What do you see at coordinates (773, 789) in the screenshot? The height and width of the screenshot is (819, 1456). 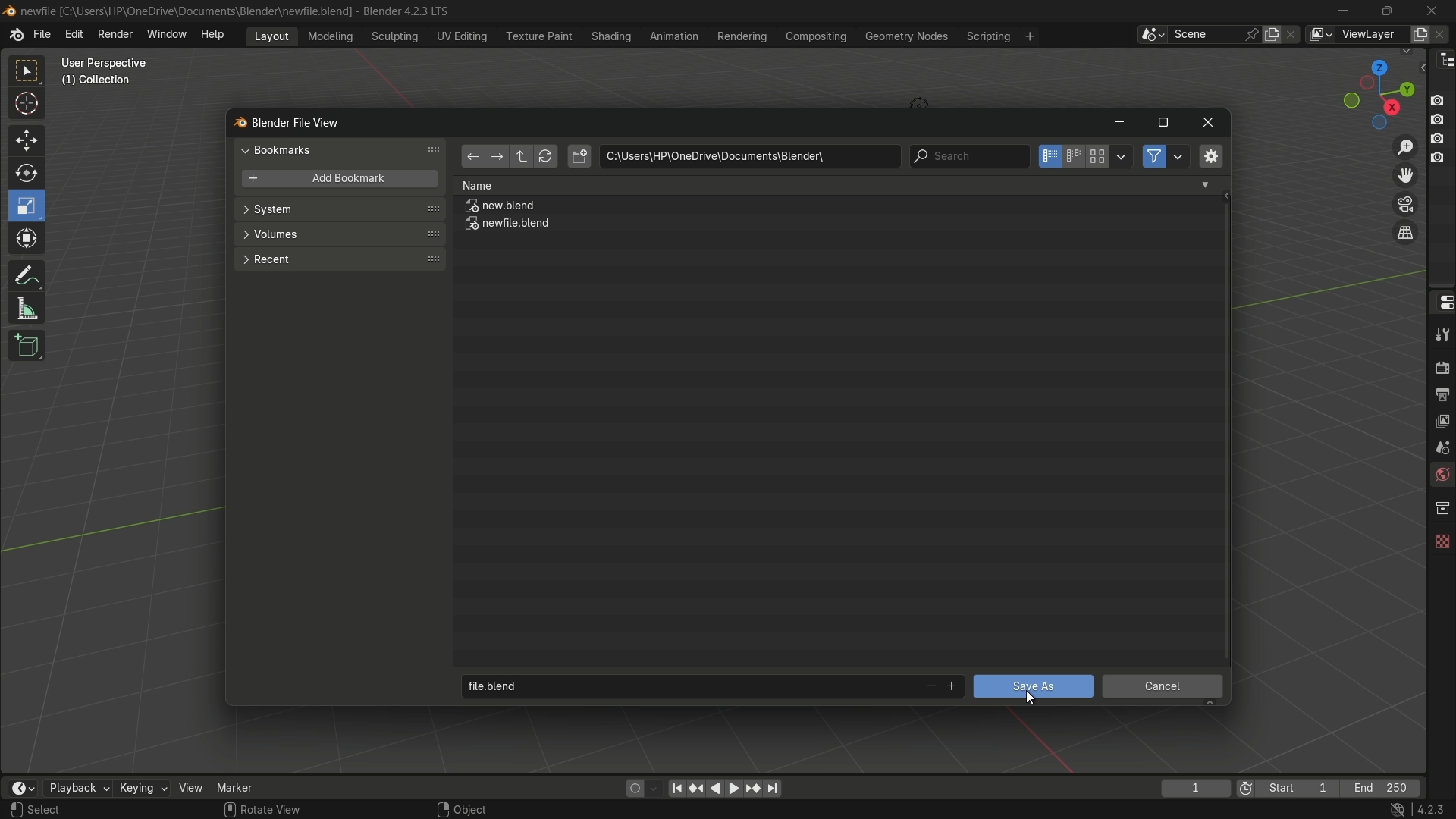 I see `jump to endpoint` at bounding box center [773, 789].